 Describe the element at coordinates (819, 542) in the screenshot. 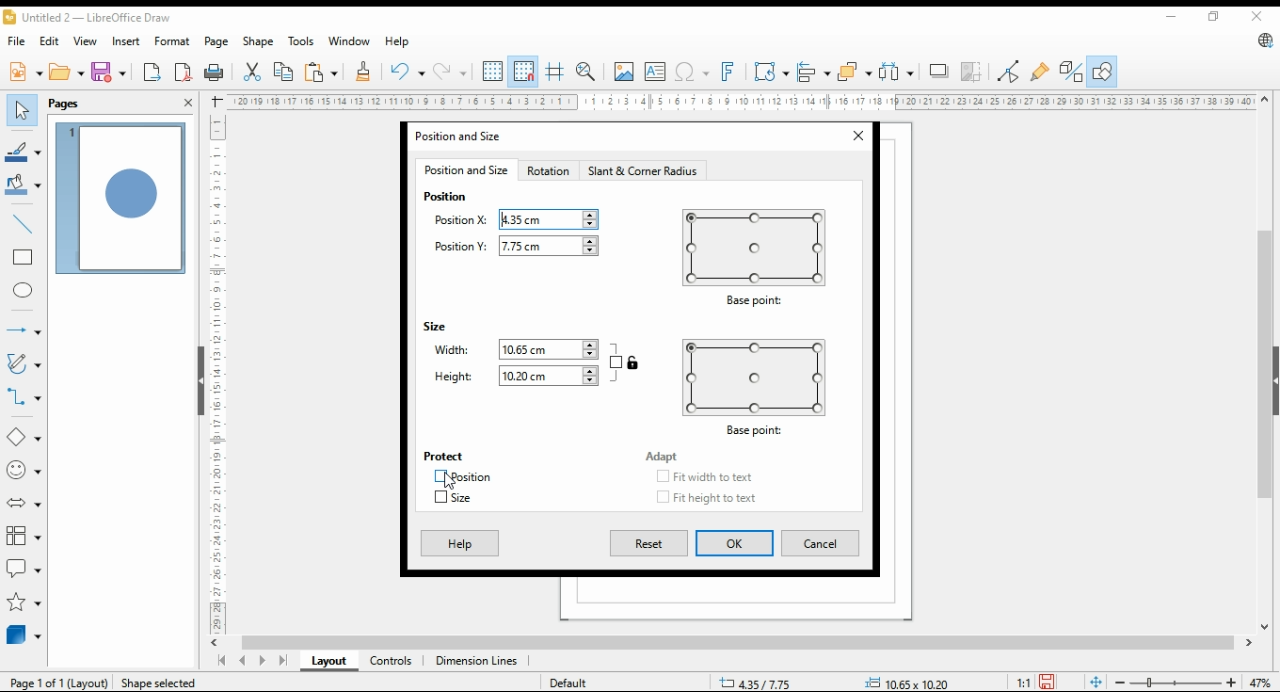

I see `cancel` at that location.